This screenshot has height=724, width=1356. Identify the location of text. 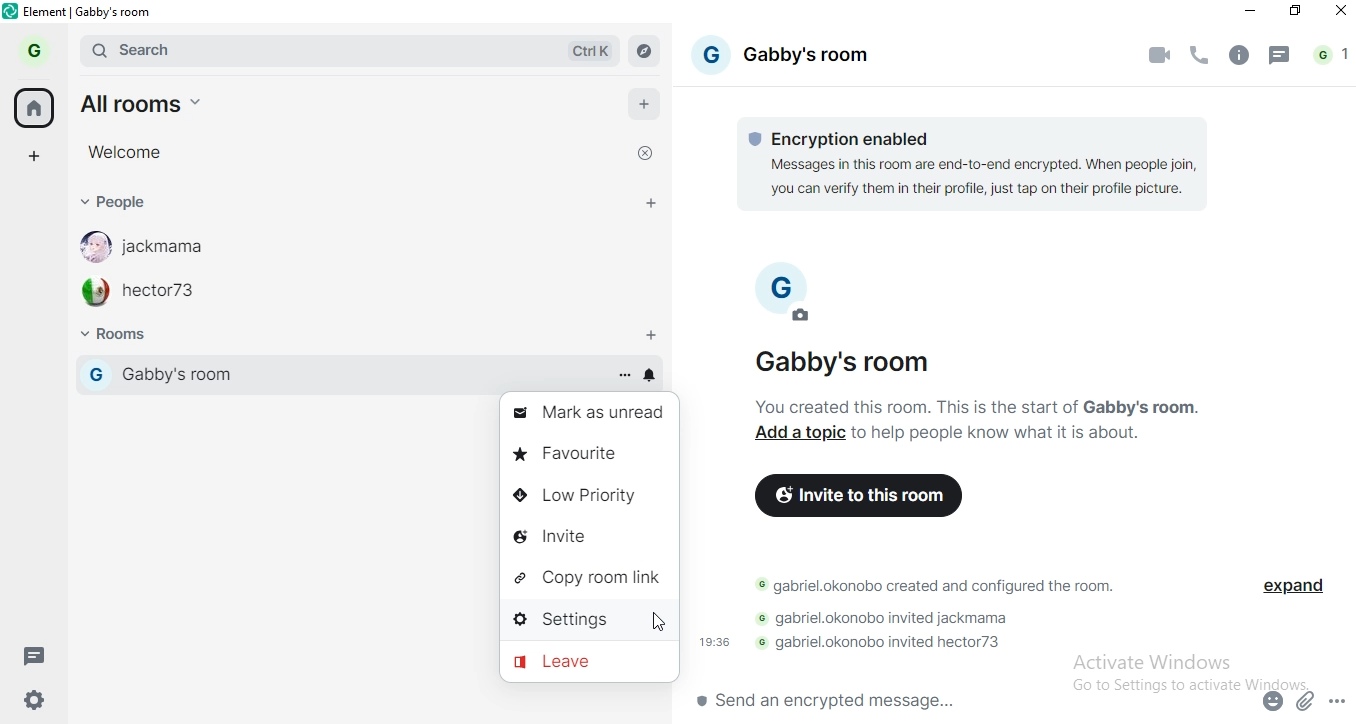
(1005, 433).